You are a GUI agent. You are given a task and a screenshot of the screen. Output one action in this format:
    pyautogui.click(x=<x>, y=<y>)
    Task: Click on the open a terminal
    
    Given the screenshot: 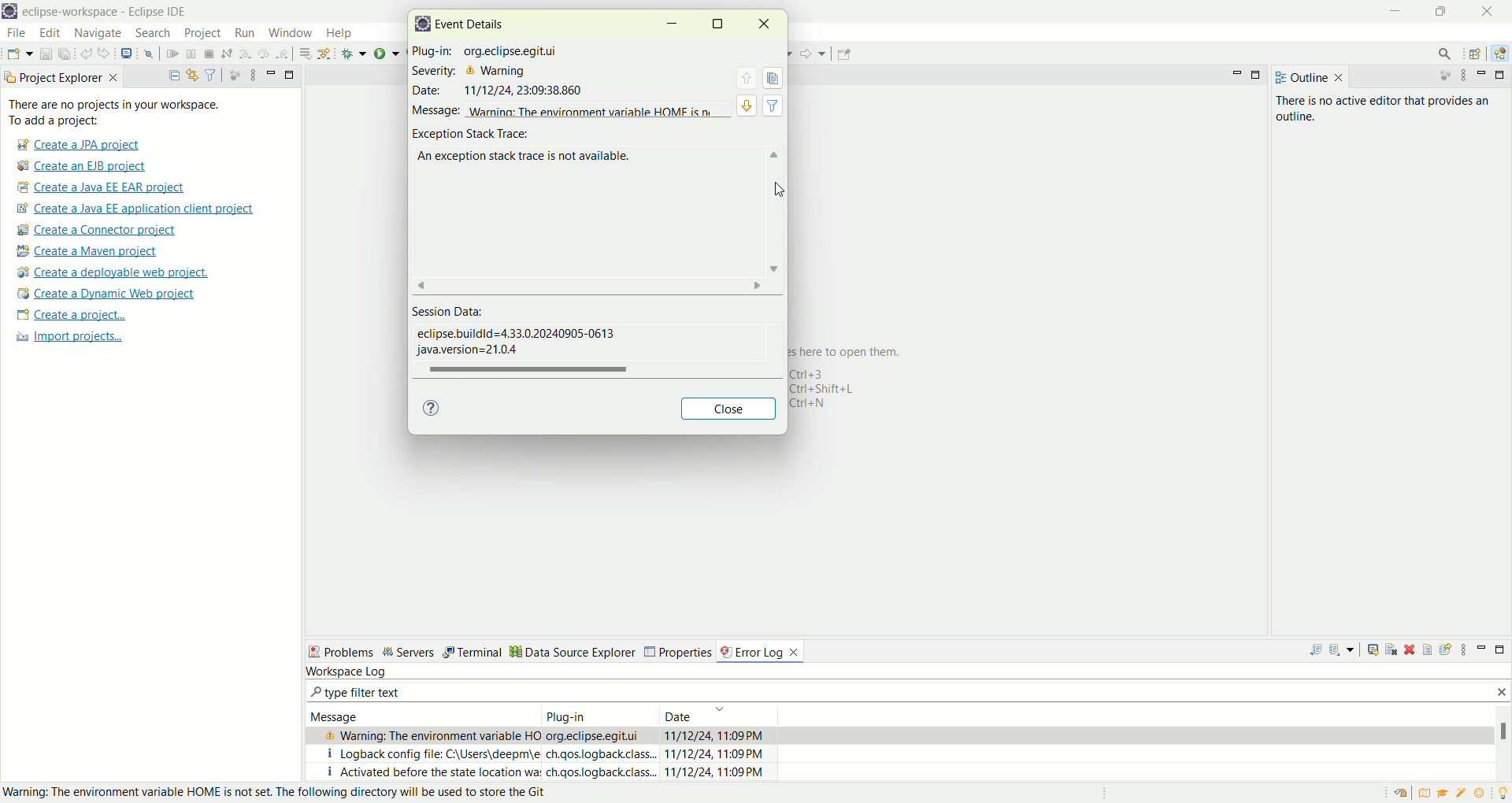 What is the action you would take?
    pyautogui.click(x=126, y=54)
    